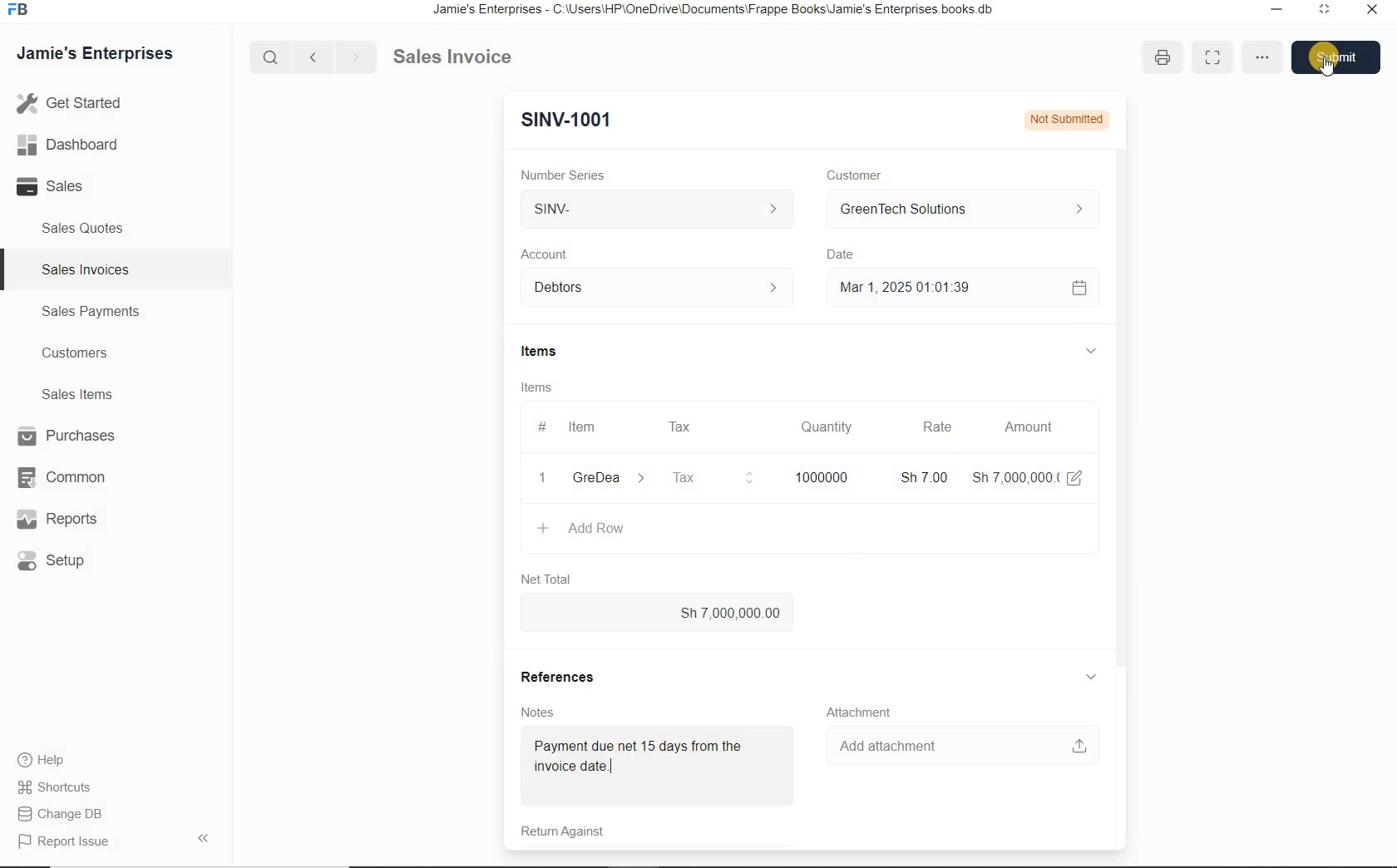 The height and width of the screenshot is (868, 1397). What do you see at coordinates (57, 187) in the screenshot?
I see `Sales` at bounding box center [57, 187].